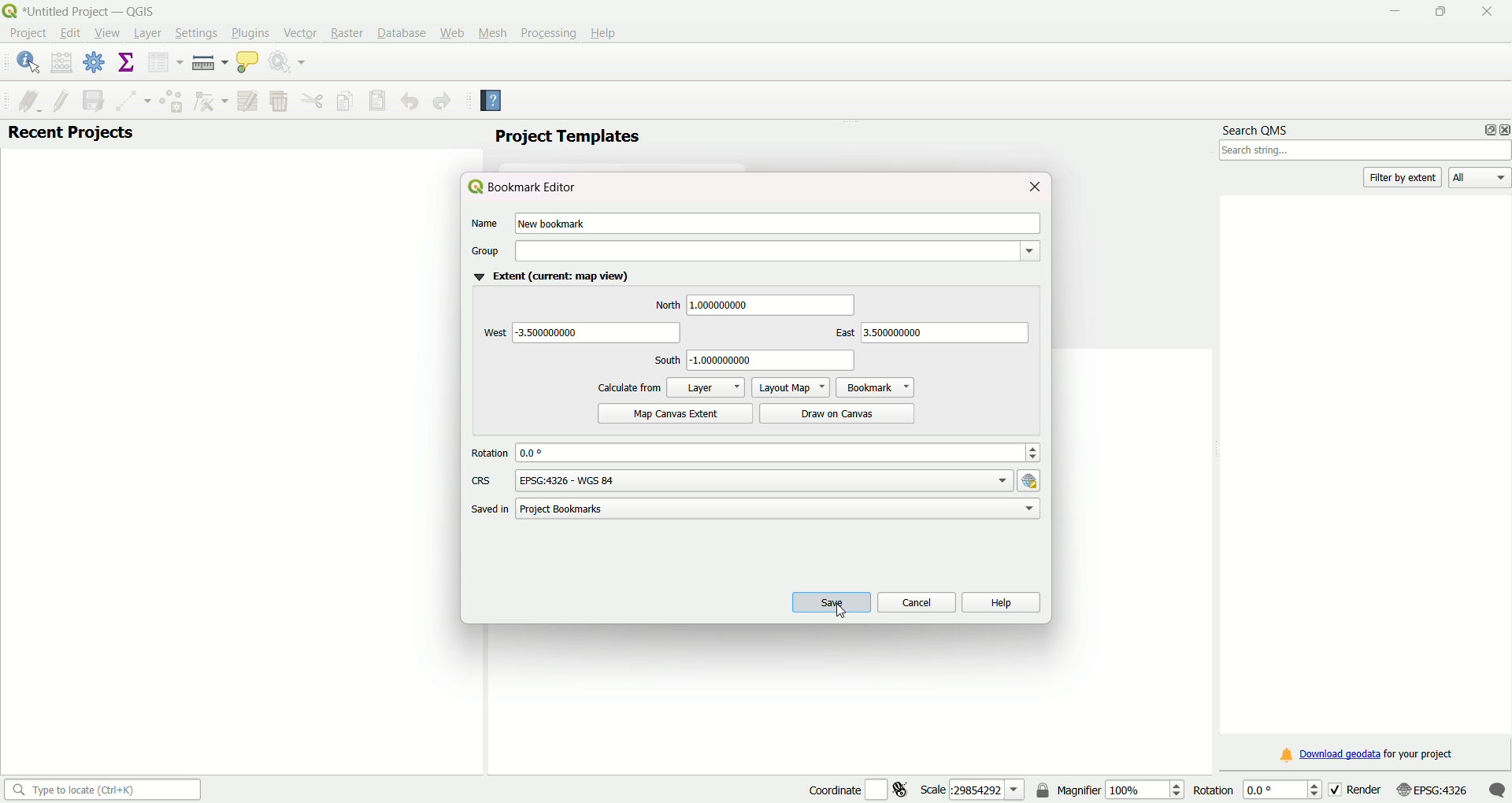 The image size is (1512, 803). I want to click on Mesh, so click(491, 32).